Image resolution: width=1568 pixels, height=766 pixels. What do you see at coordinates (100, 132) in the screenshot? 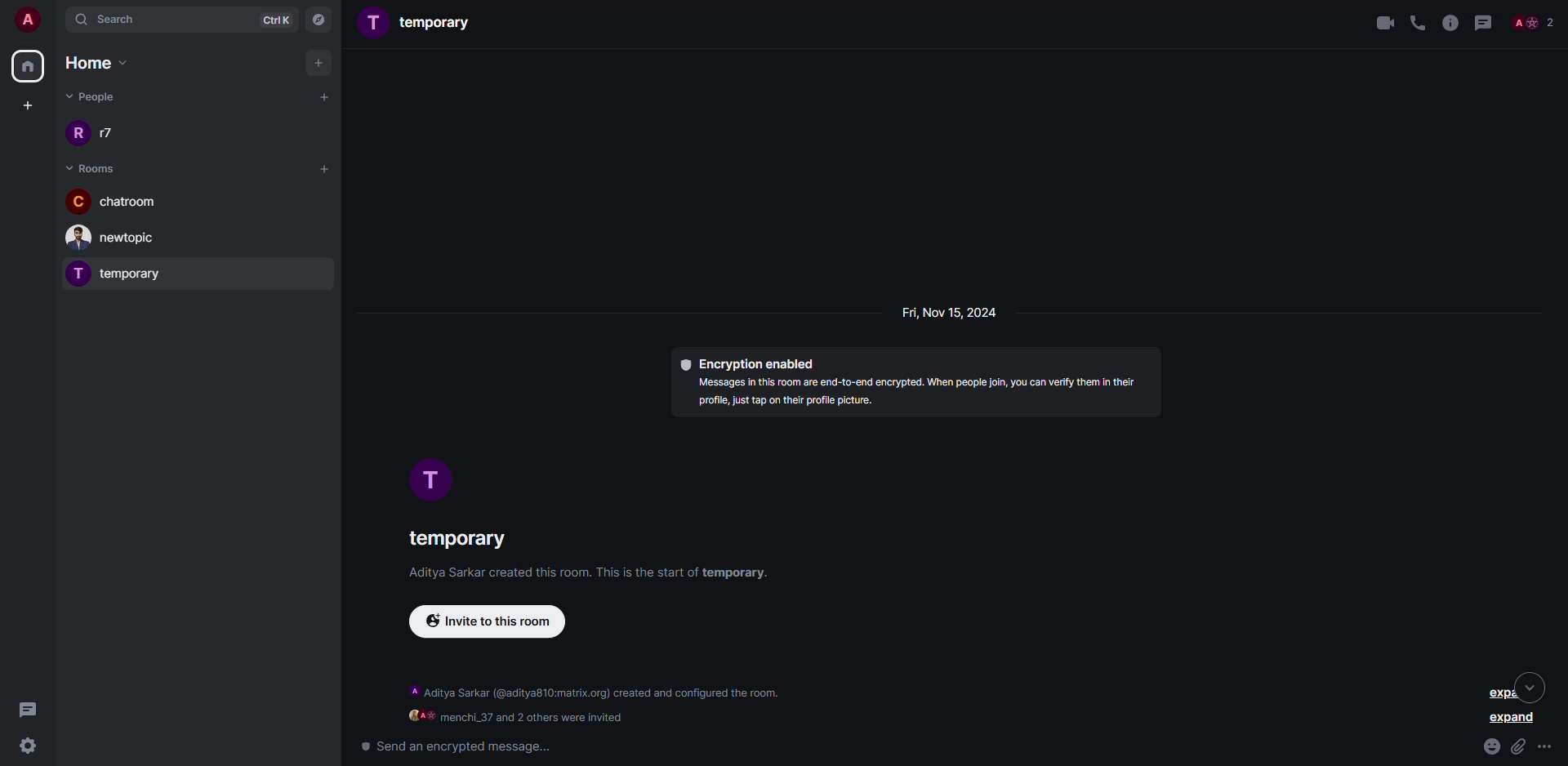
I see `r17` at bounding box center [100, 132].